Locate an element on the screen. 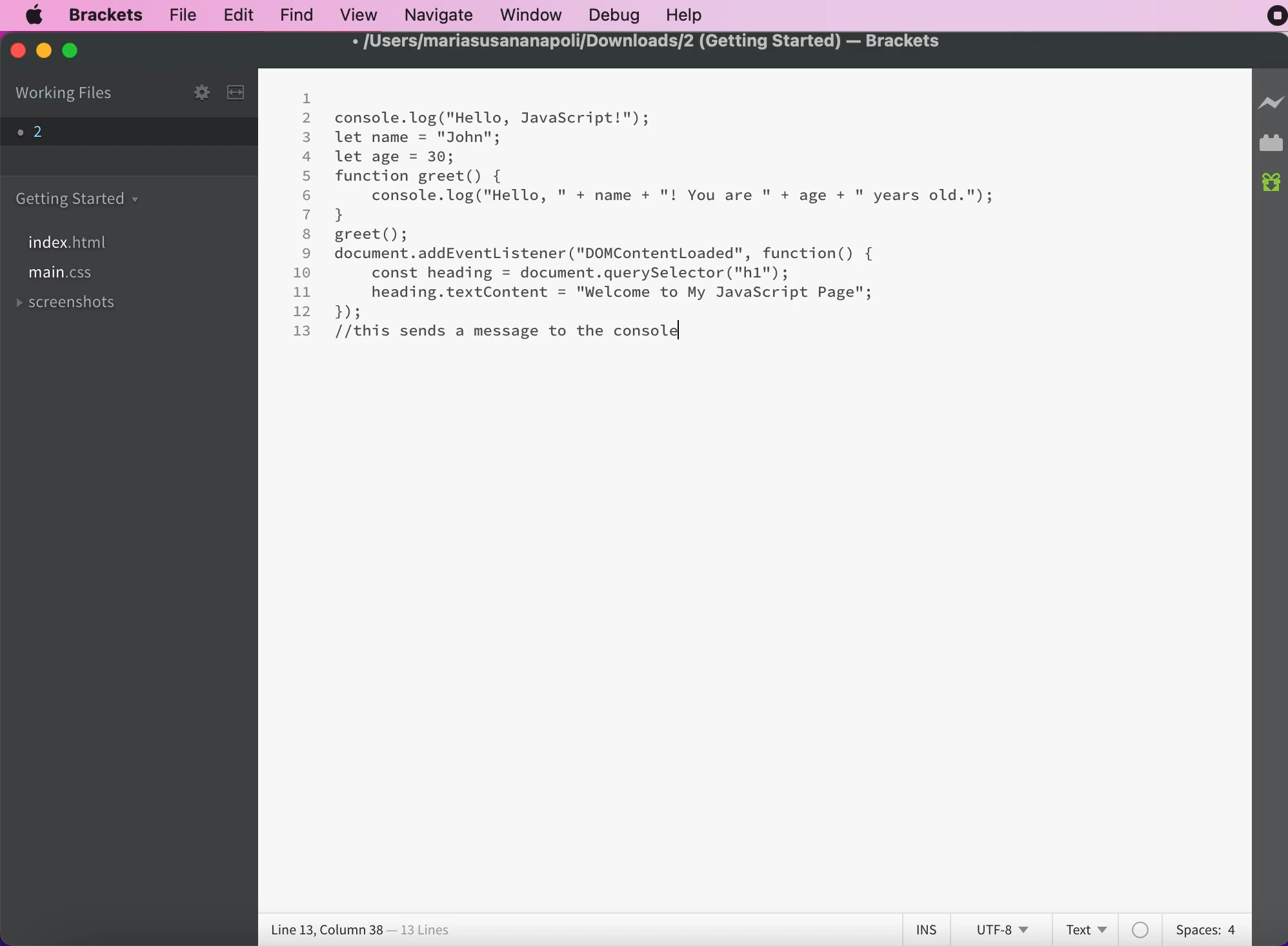  extension manager is located at coordinates (1271, 144).